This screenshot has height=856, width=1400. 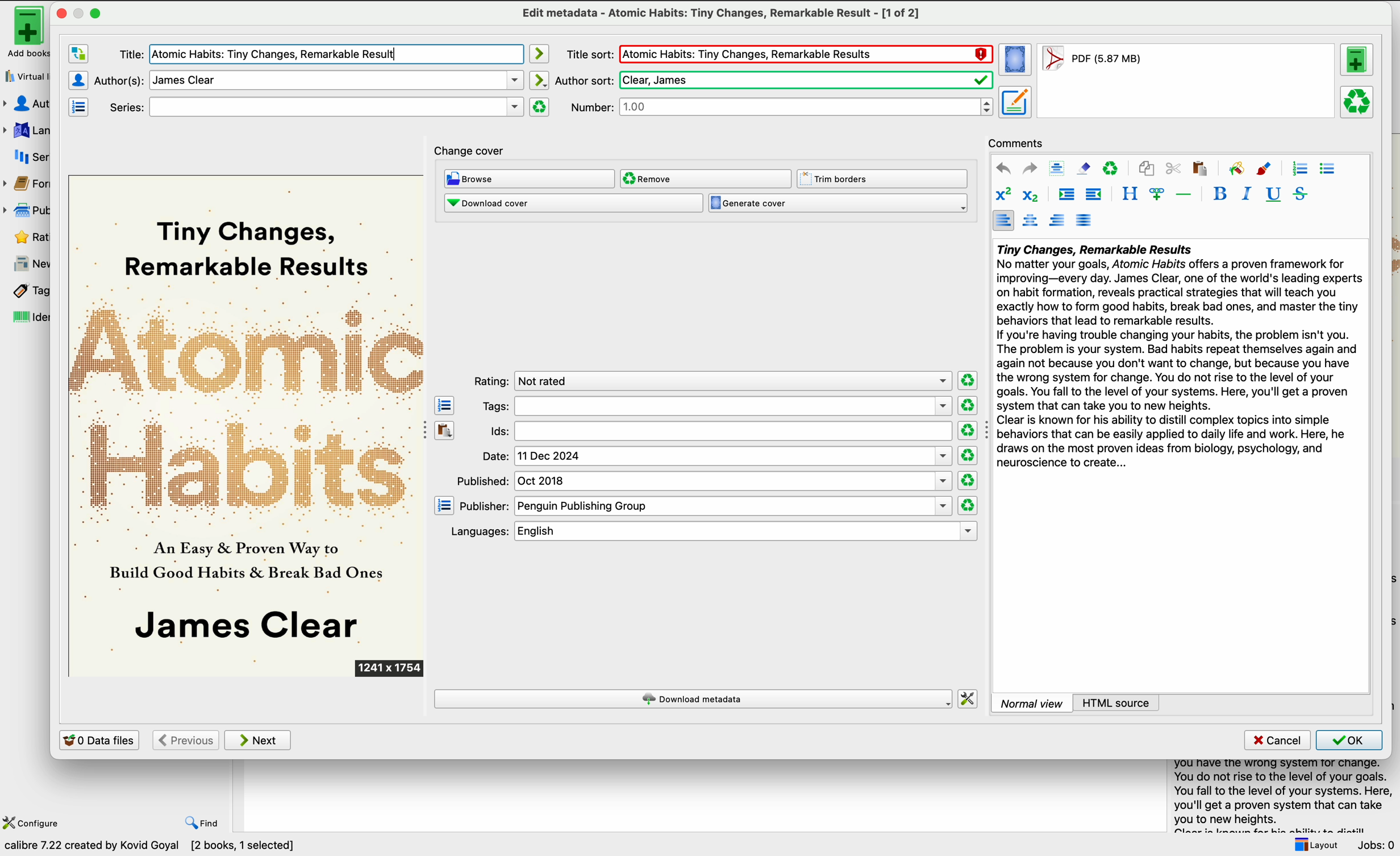 What do you see at coordinates (1030, 169) in the screenshot?
I see `redo` at bounding box center [1030, 169].